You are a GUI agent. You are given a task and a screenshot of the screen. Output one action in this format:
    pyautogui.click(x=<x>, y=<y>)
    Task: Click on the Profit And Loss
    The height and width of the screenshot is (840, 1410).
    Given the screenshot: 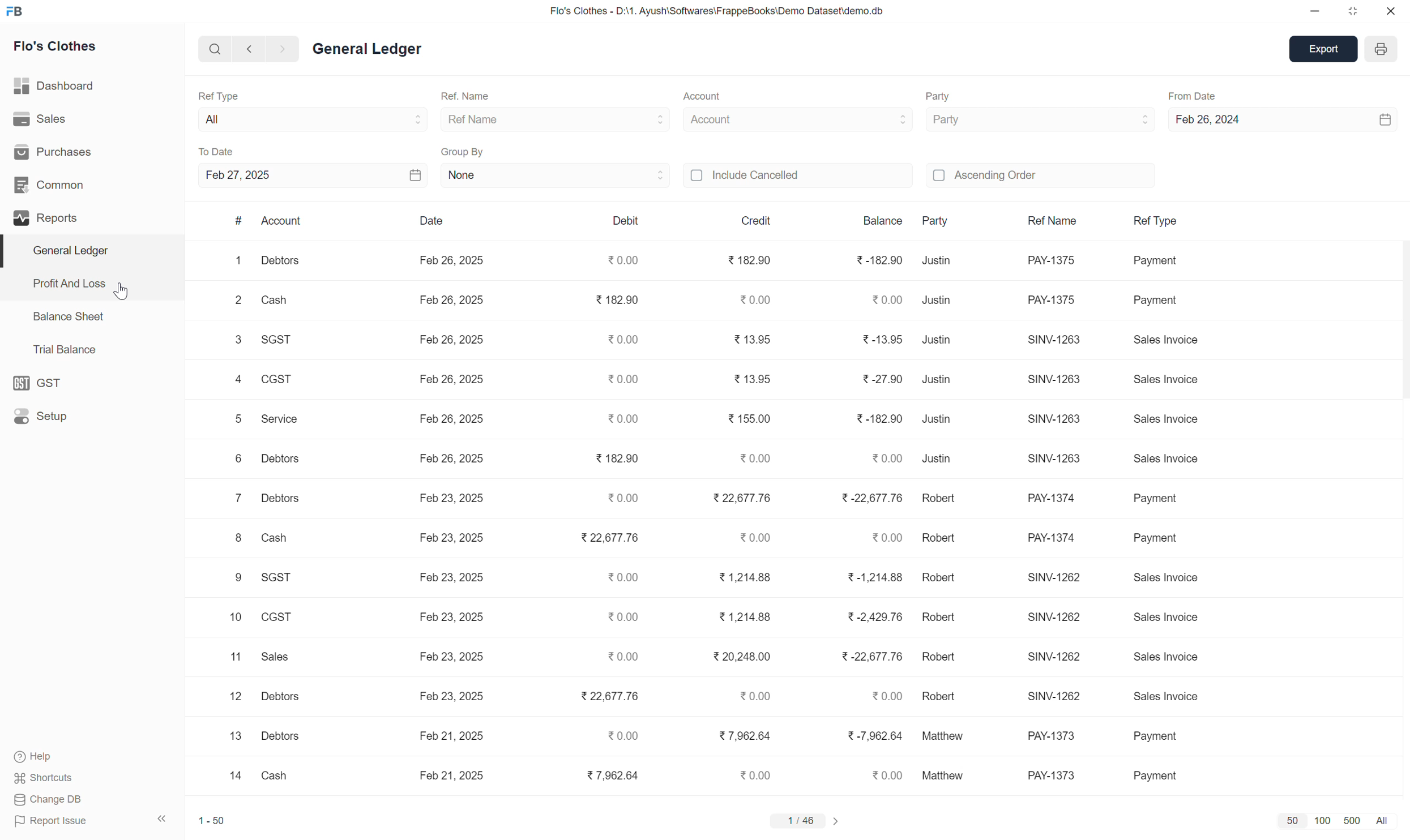 What is the action you would take?
    pyautogui.click(x=66, y=282)
    